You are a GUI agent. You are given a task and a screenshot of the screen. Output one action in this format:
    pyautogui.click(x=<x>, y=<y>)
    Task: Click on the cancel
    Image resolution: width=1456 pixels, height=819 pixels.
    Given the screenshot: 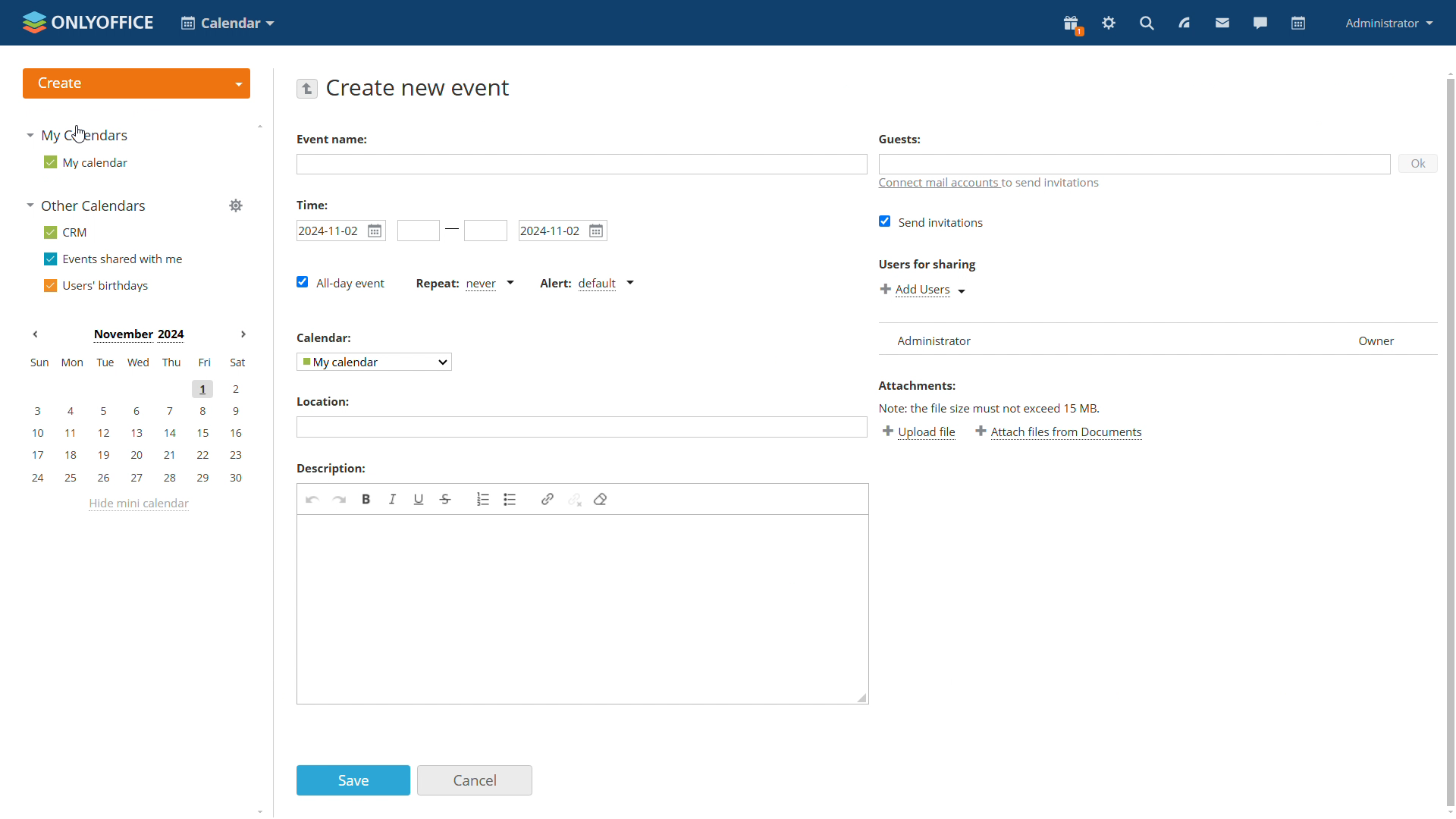 What is the action you would take?
    pyautogui.click(x=476, y=780)
    